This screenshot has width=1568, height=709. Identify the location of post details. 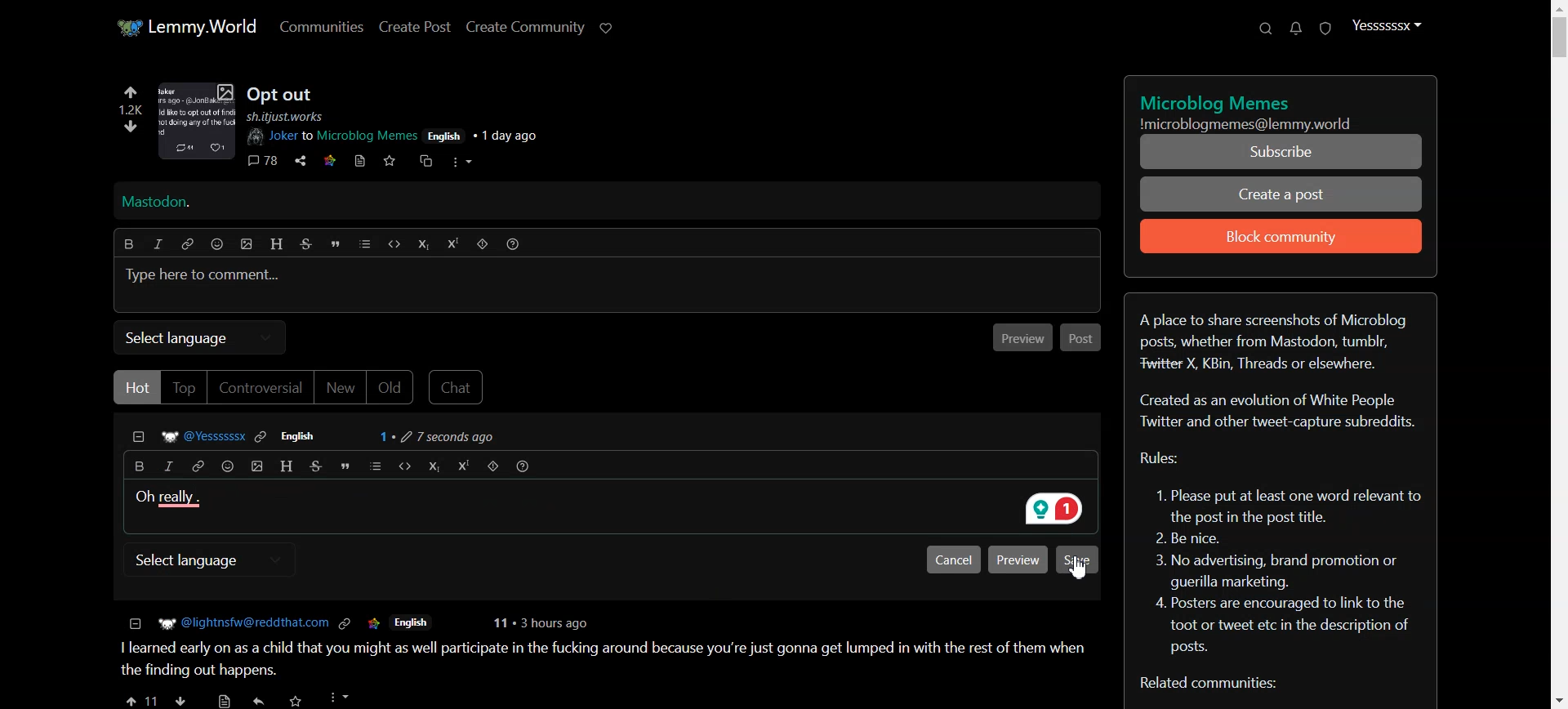
(409, 126).